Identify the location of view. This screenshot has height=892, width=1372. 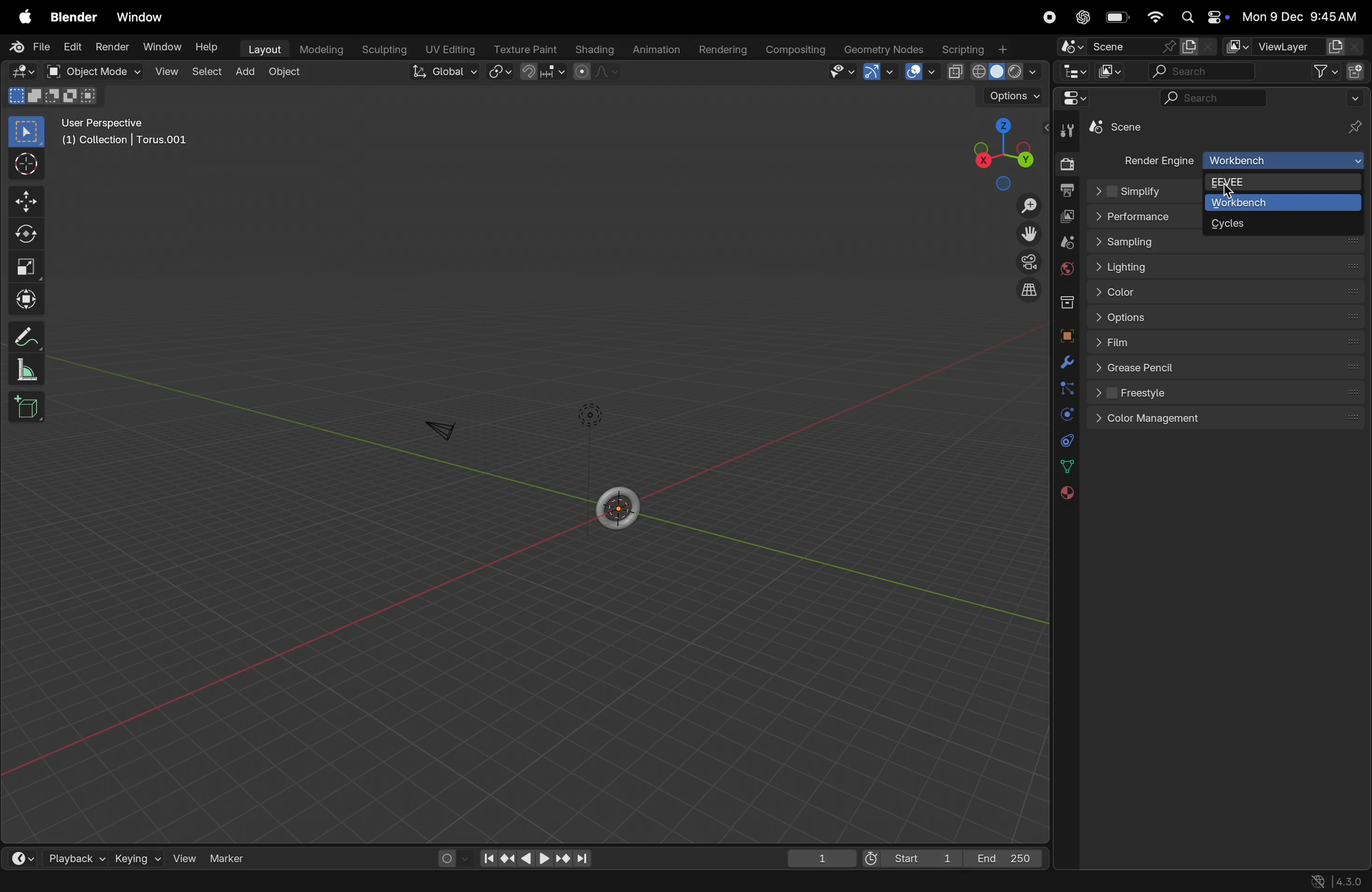
(167, 73).